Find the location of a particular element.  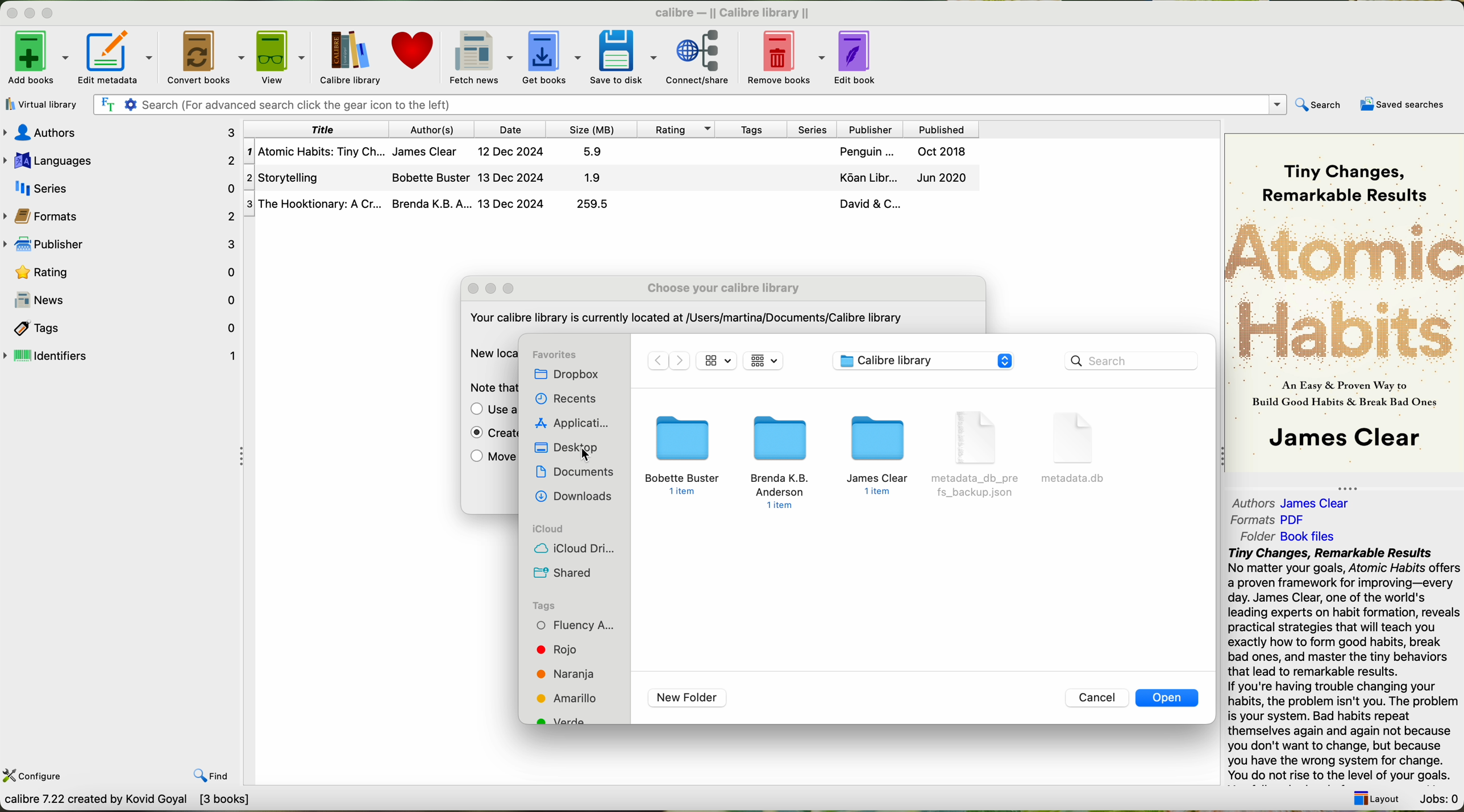

series is located at coordinates (120, 186).